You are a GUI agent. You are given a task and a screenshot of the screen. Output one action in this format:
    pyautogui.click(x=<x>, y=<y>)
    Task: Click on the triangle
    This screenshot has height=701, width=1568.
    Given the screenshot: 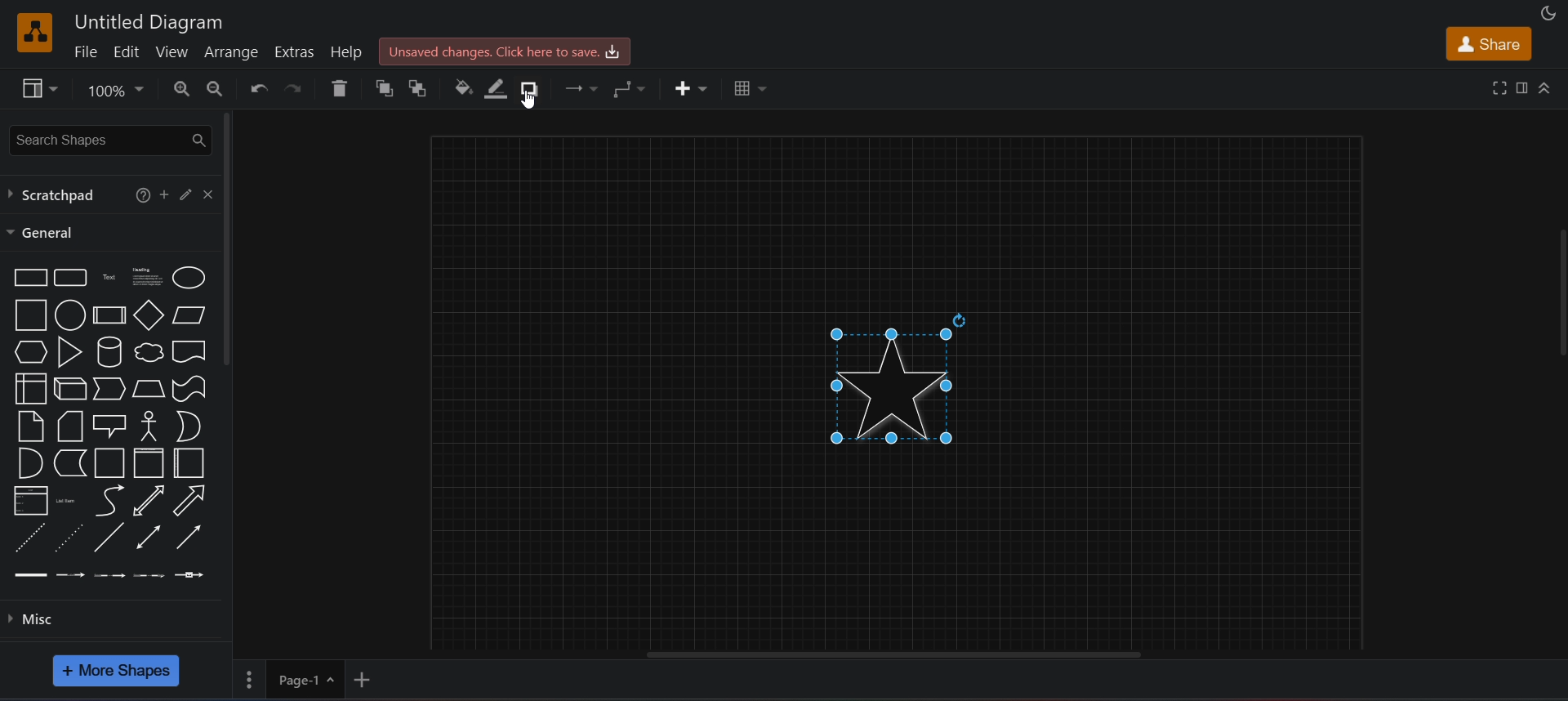 What is the action you would take?
    pyautogui.click(x=69, y=352)
    